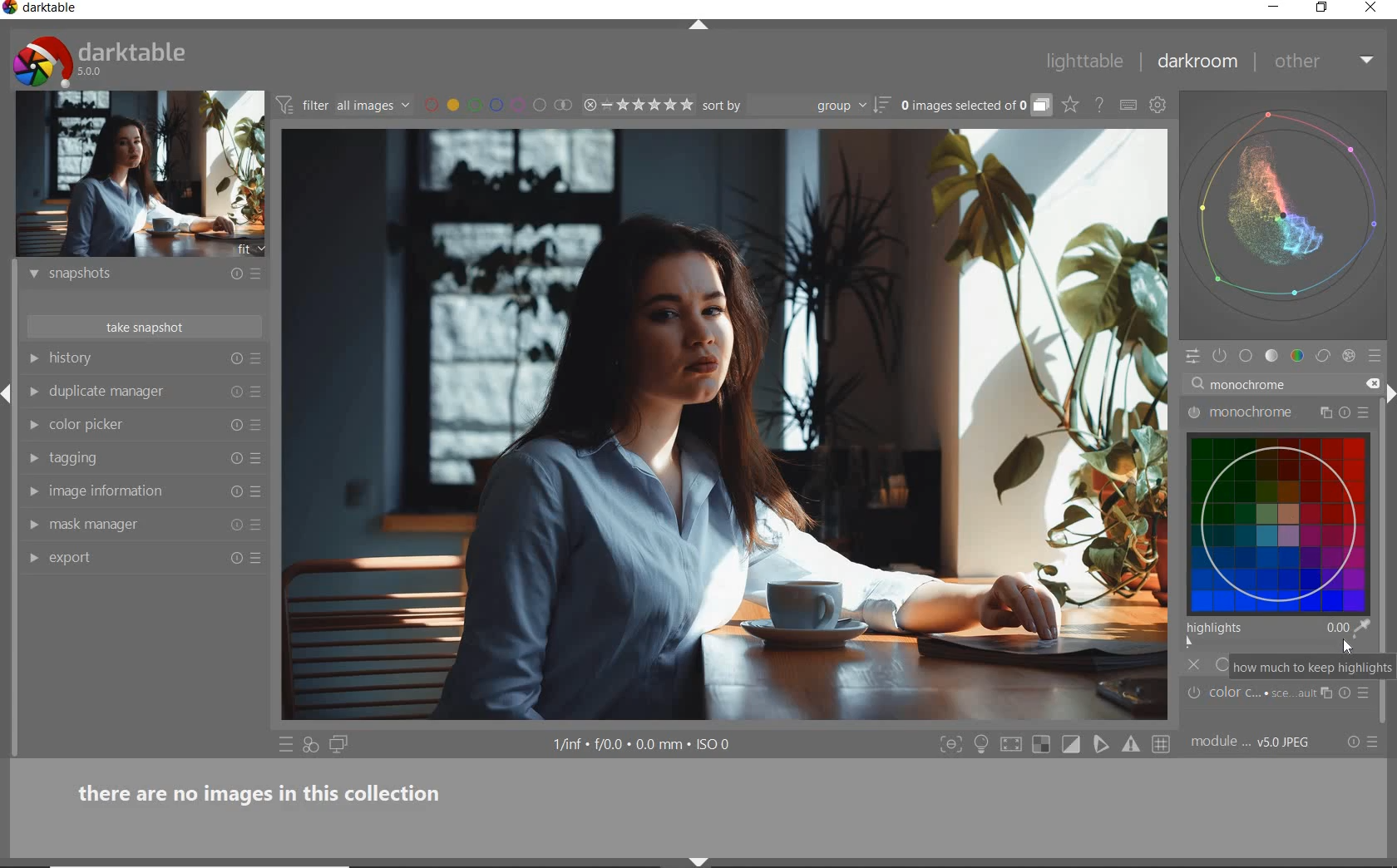 The height and width of the screenshot is (868, 1397). I want to click on preset and preferences, so click(259, 459).